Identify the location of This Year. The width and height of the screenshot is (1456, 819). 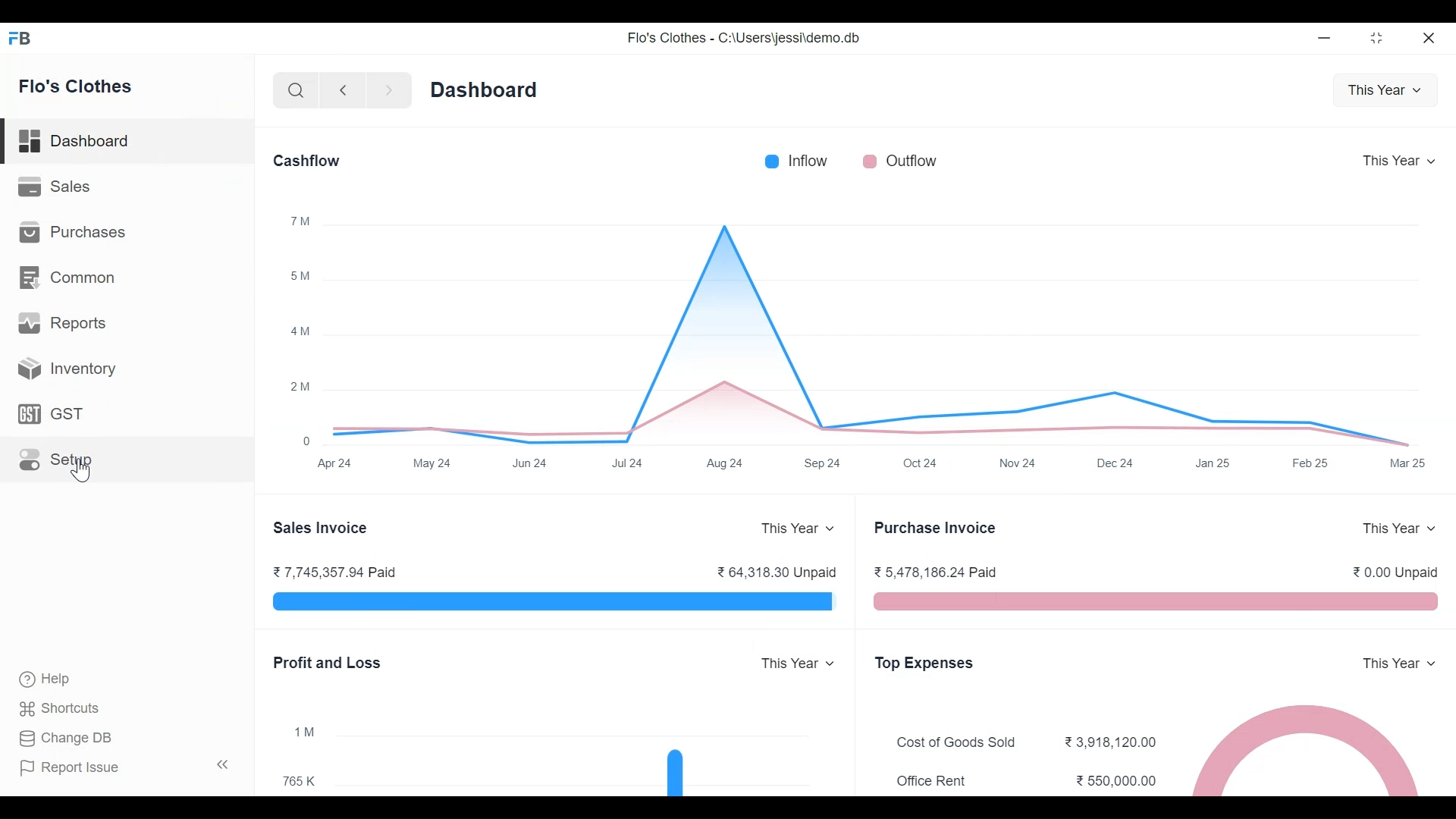
(1396, 162).